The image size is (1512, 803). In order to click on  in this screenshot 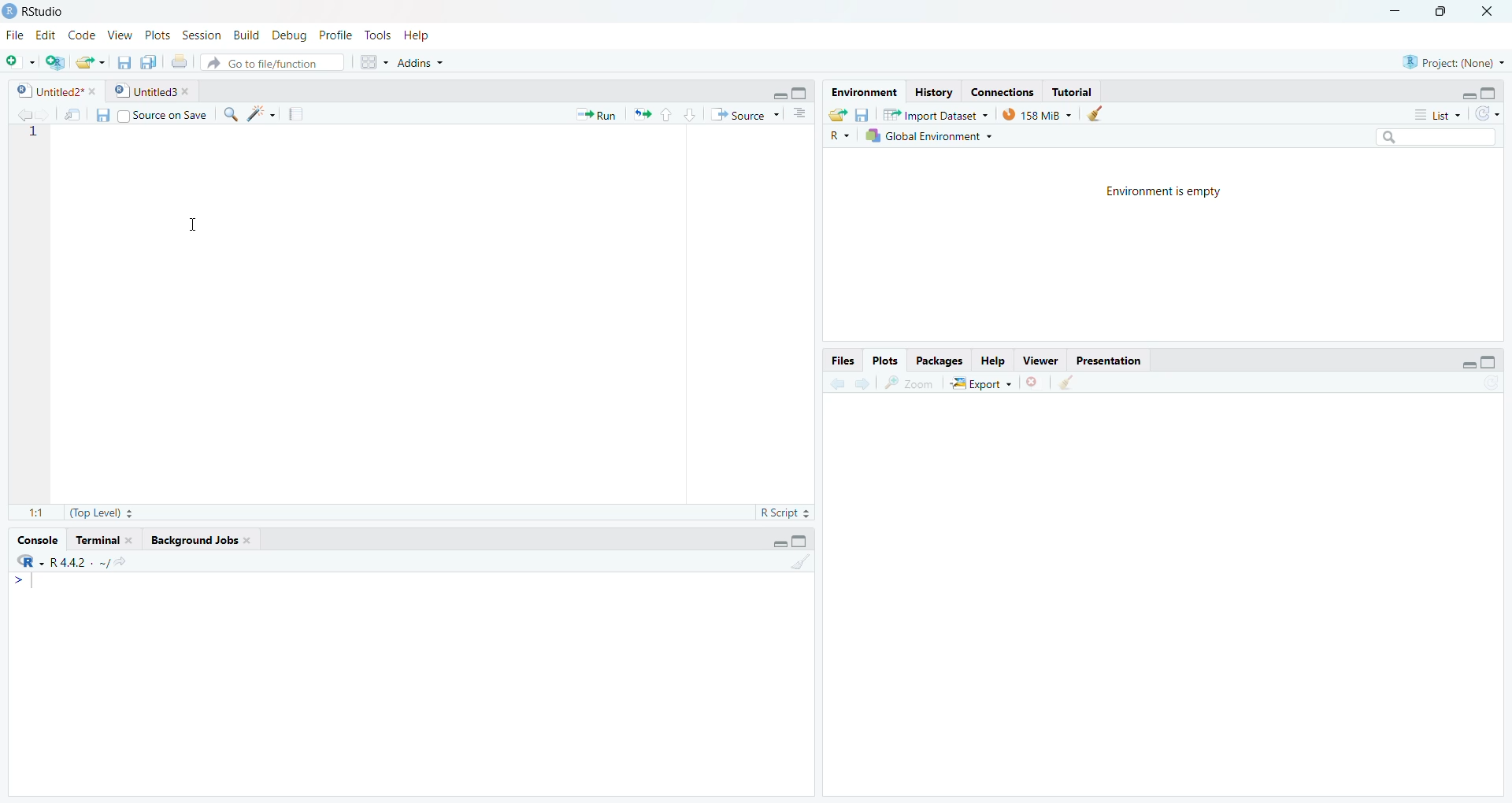, I will do `click(372, 60)`.